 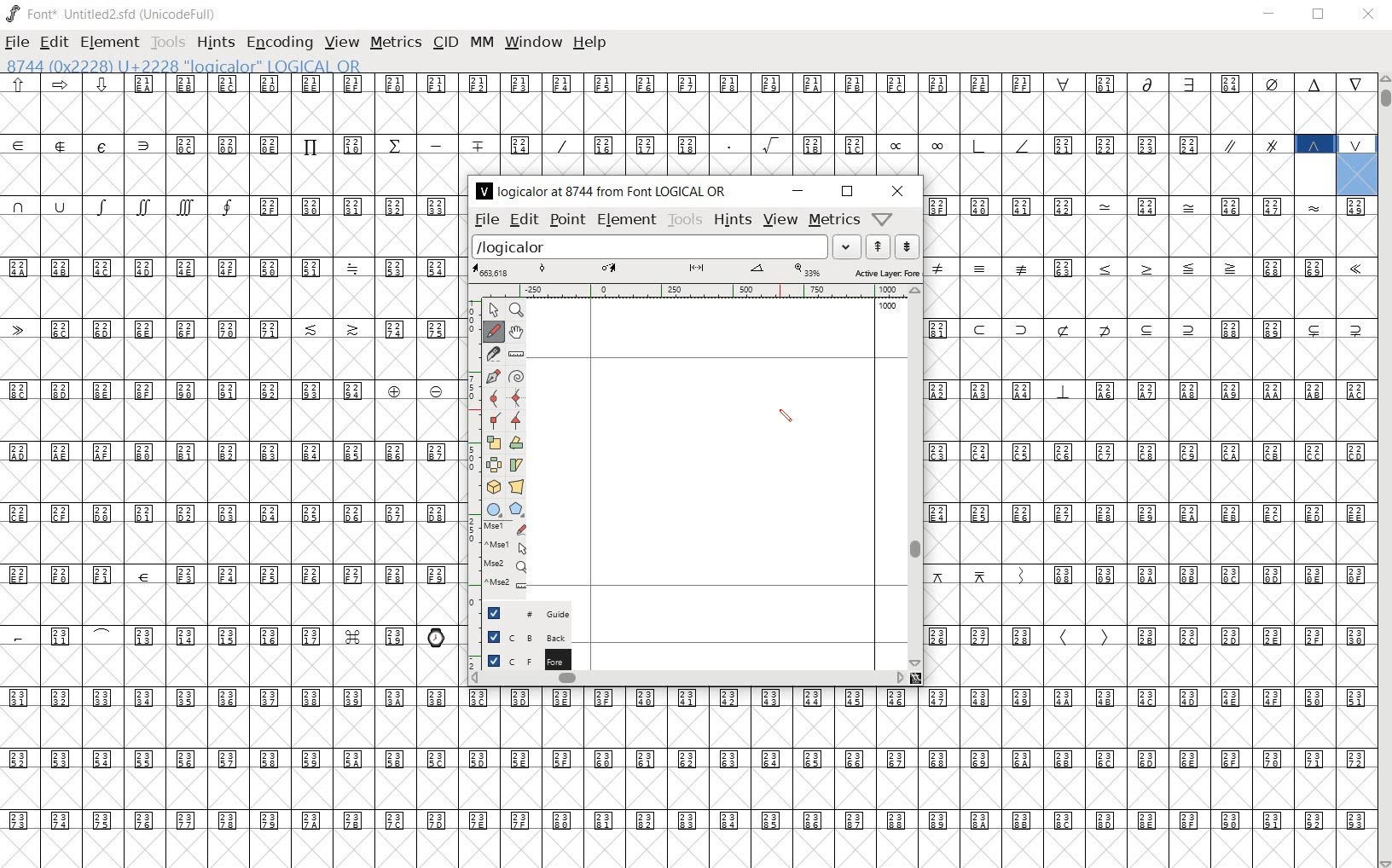 What do you see at coordinates (491, 488) in the screenshot?
I see `rotate the selection in 3D and project back to plane` at bounding box center [491, 488].